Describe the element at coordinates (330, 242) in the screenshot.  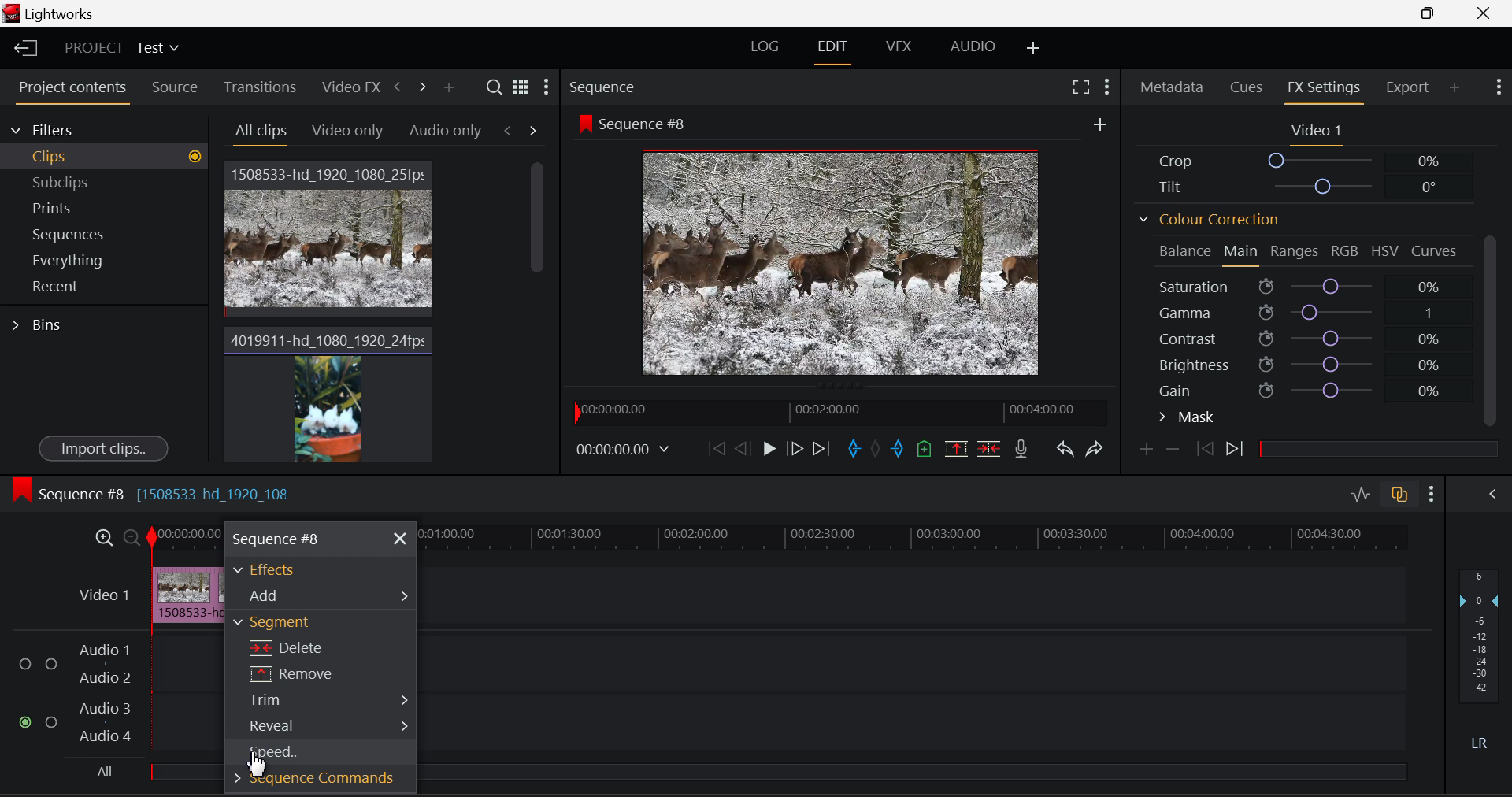
I see `Video Clip 1` at that location.